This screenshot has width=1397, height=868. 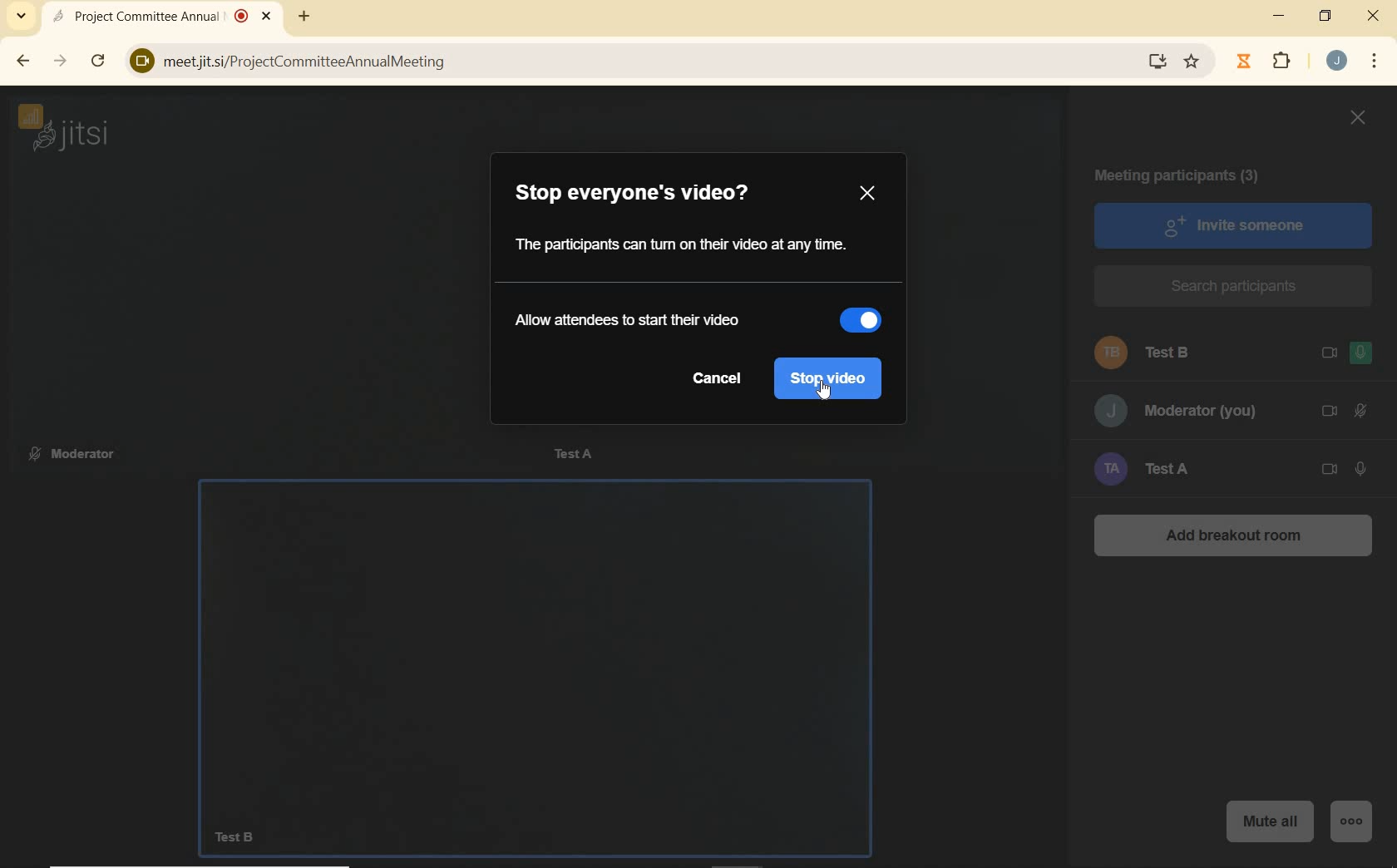 I want to click on MICROPHONE, so click(x=1362, y=411).